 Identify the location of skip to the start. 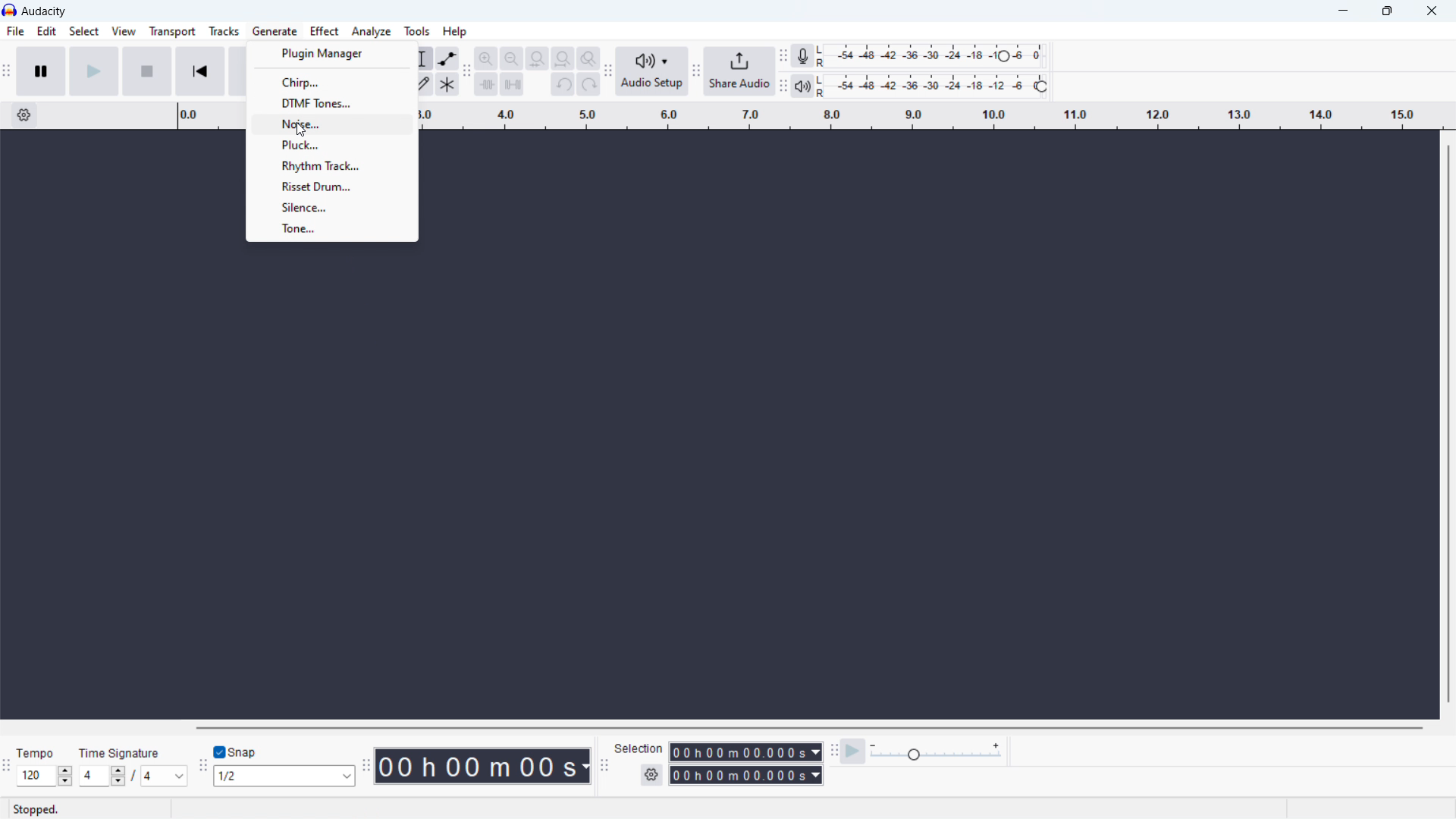
(200, 71).